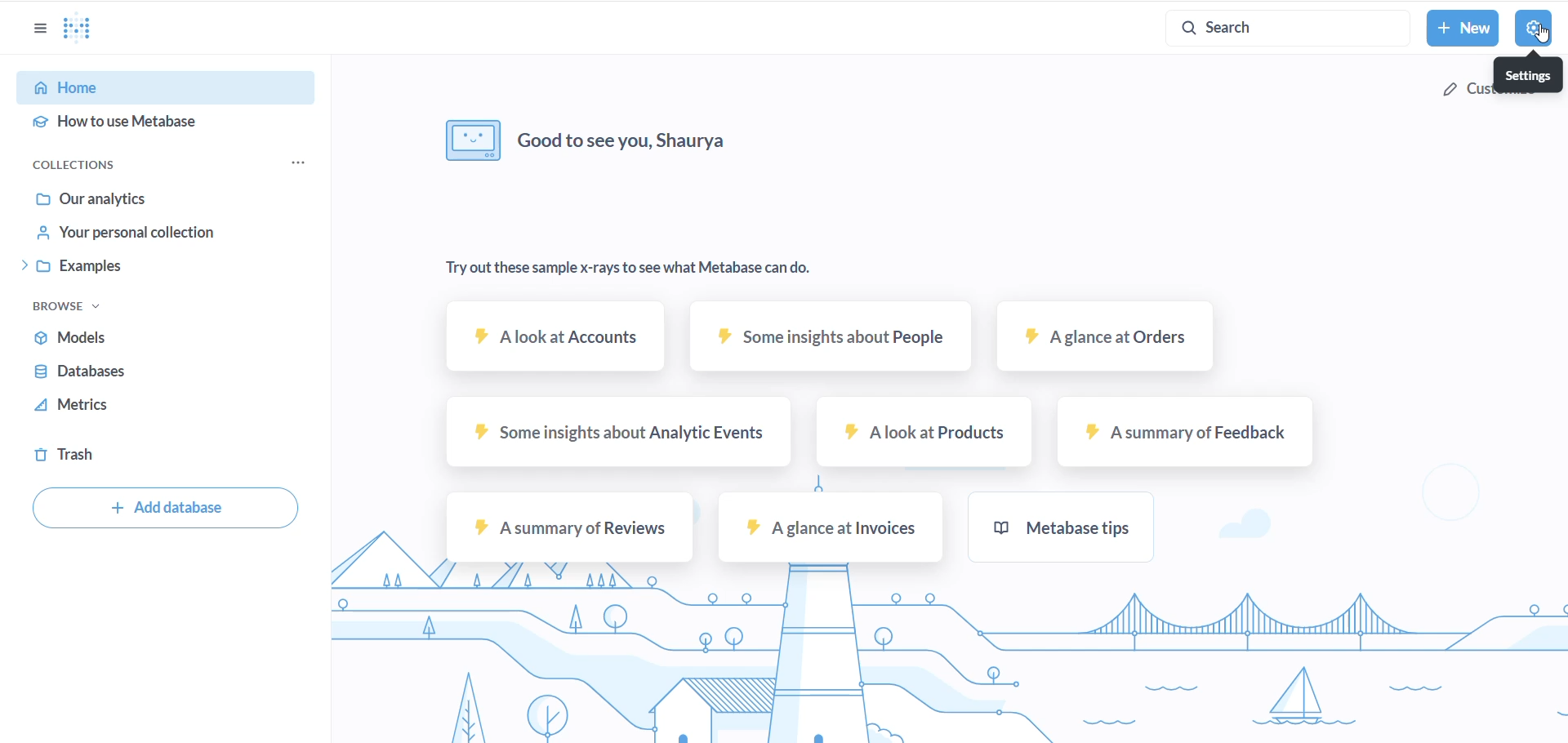 This screenshot has height=743, width=1568. Describe the element at coordinates (1463, 28) in the screenshot. I see `NEW BUTTON` at that location.